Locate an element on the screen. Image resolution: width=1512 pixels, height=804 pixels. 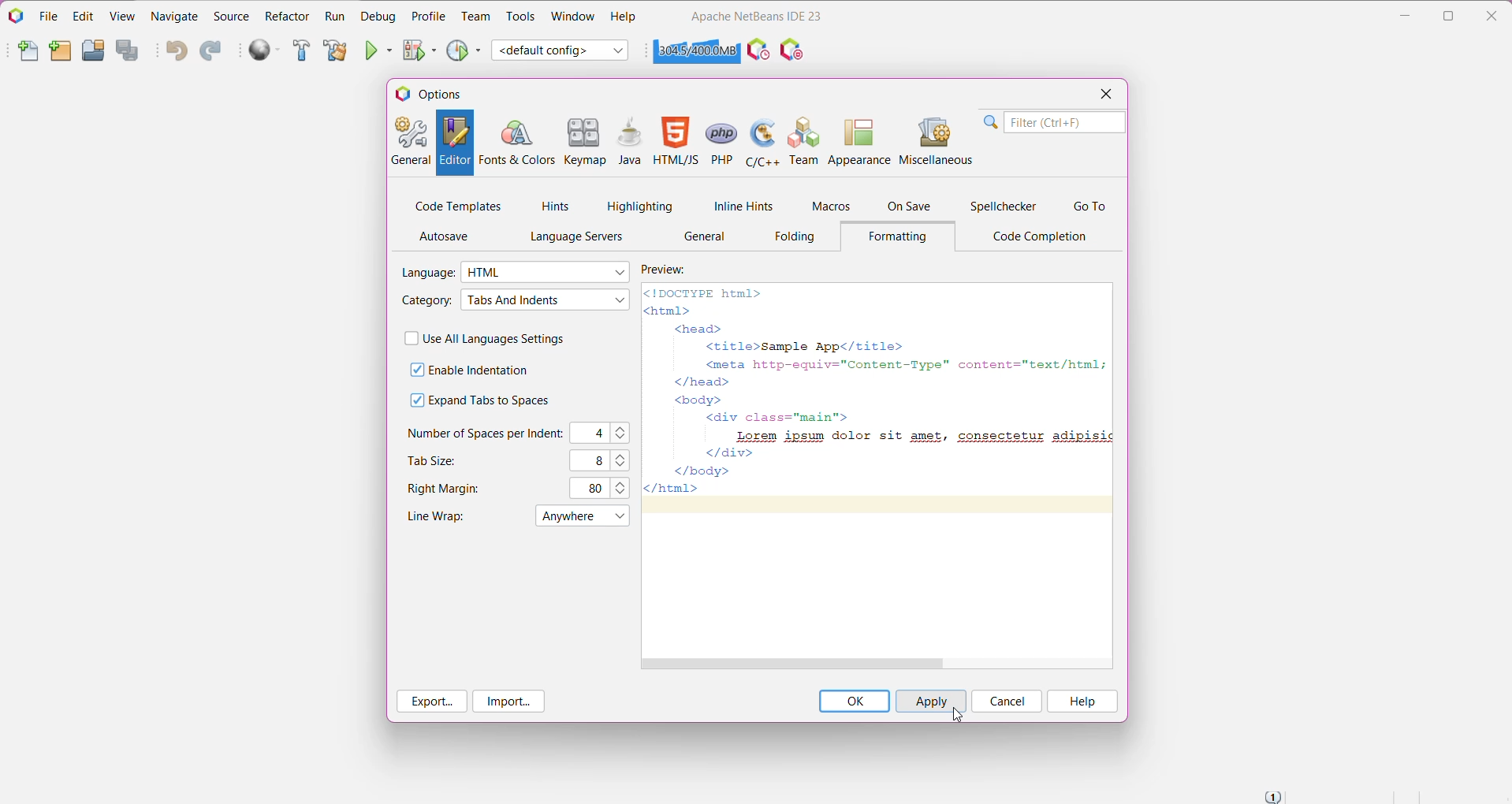
Language is located at coordinates (428, 272).